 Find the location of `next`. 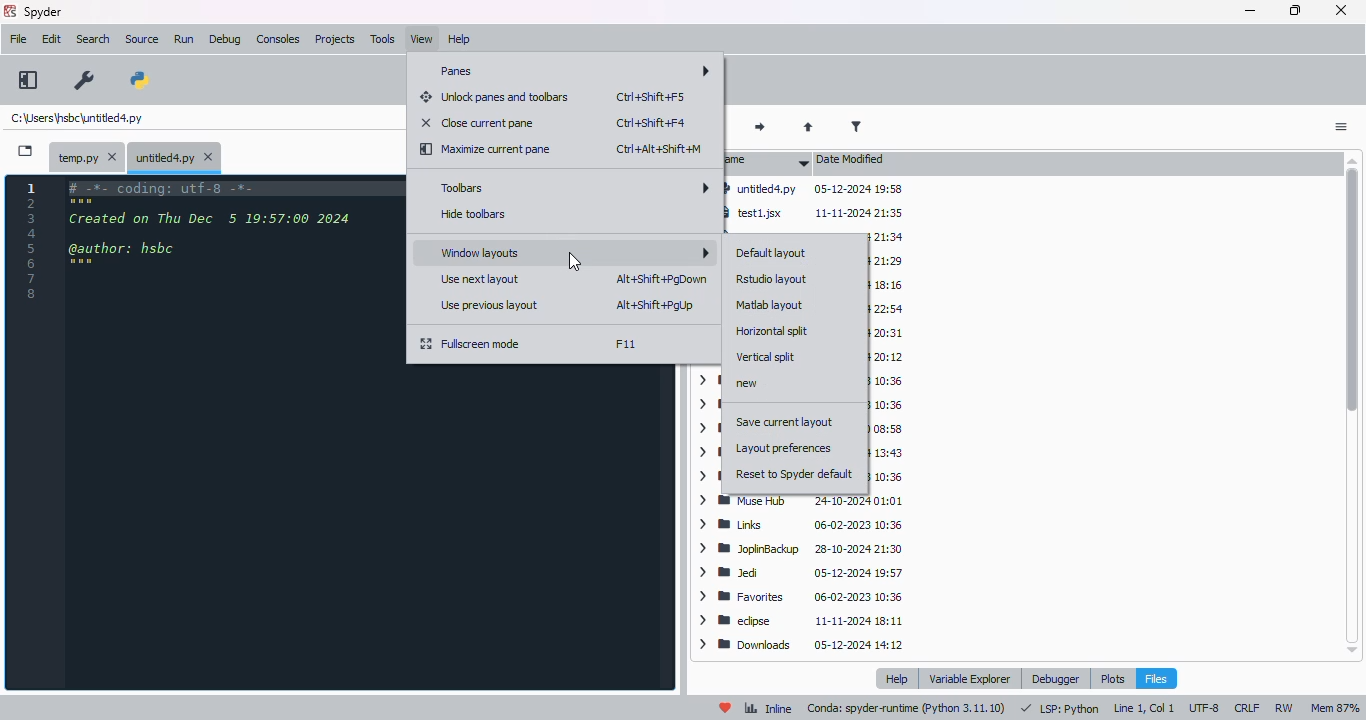

next is located at coordinates (762, 128).